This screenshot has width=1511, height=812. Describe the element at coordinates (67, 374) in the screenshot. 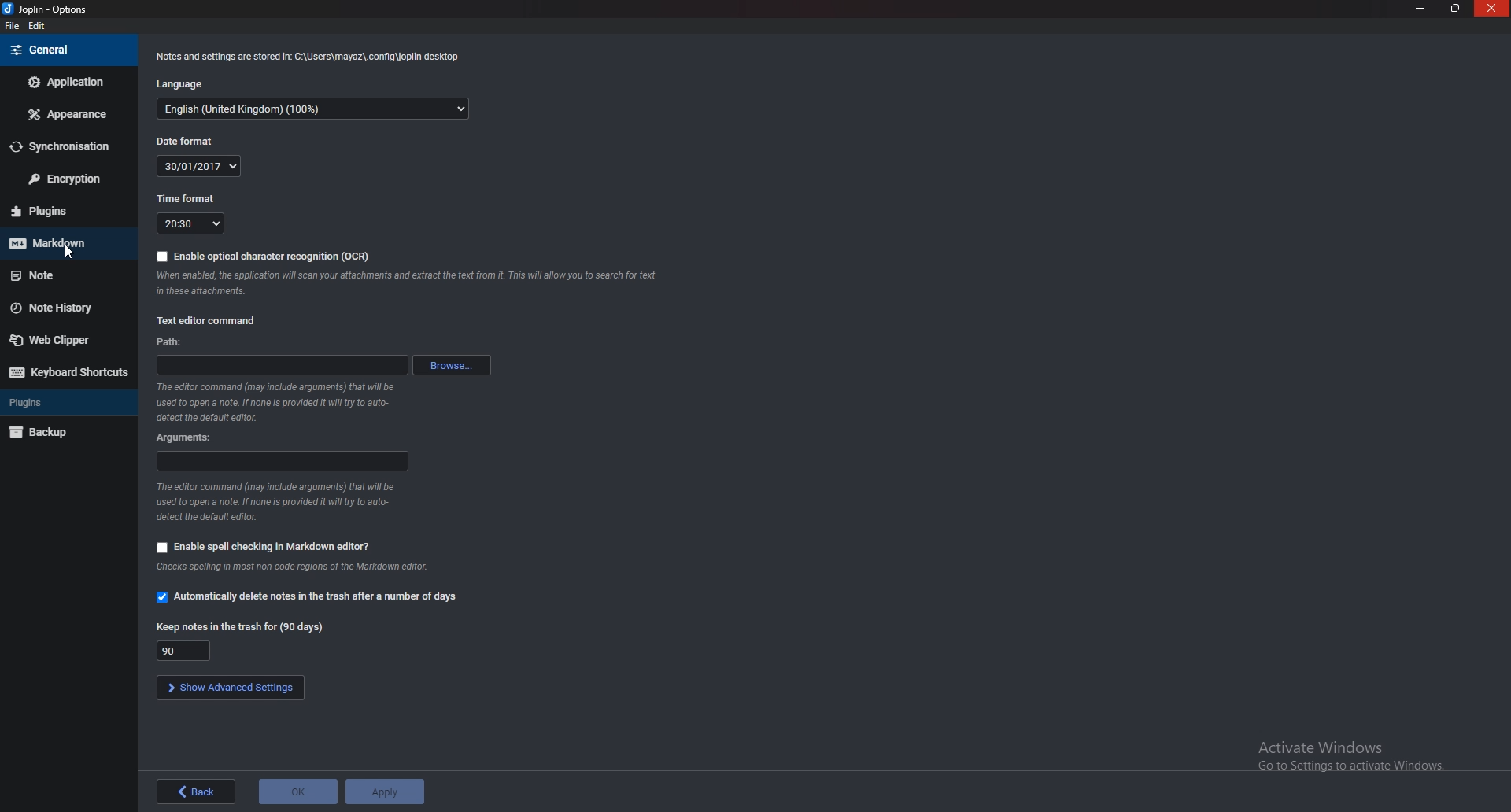

I see `Keyboard shortcuts` at that location.